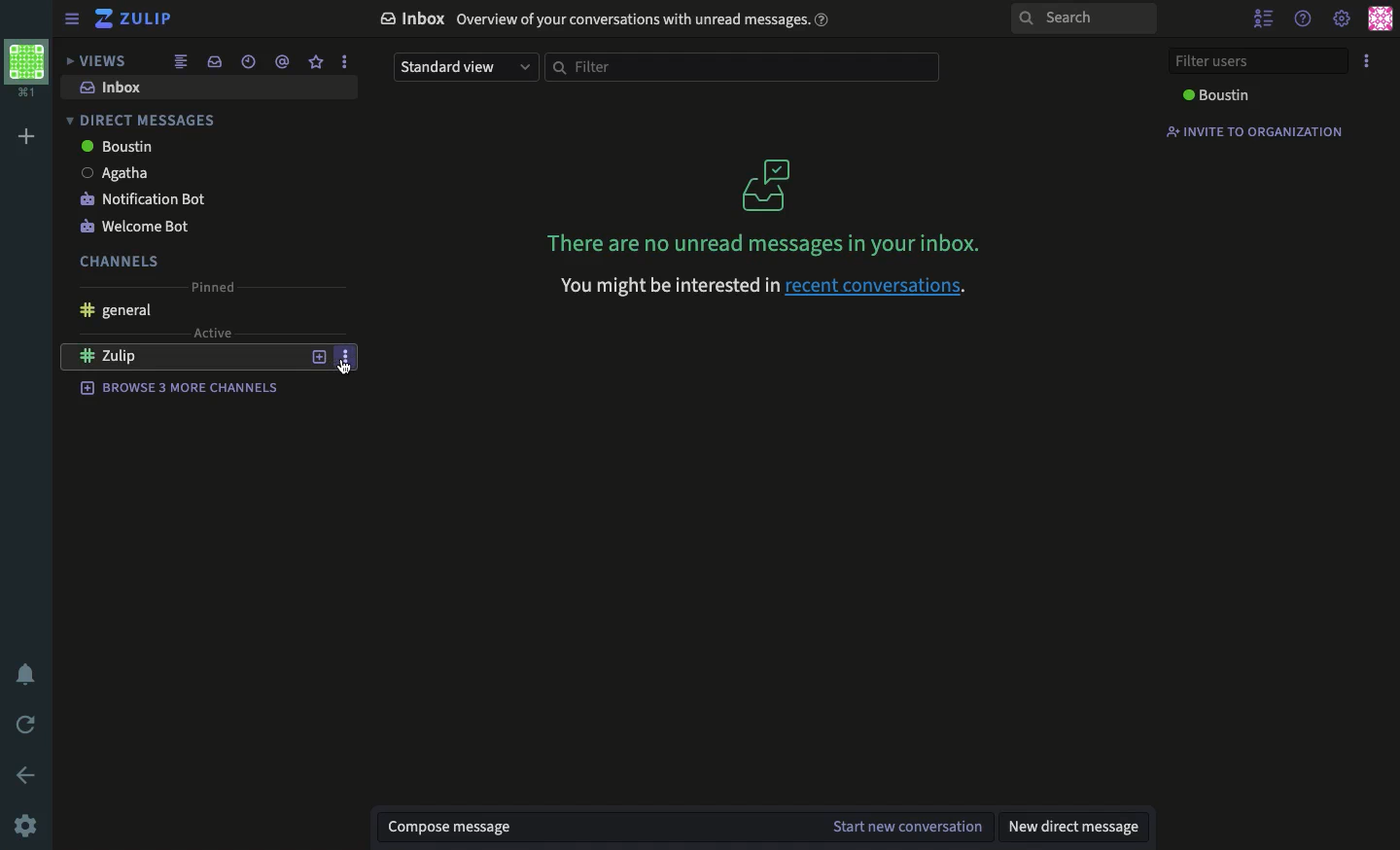 The height and width of the screenshot is (850, 1400). Describe the element at coordinates (1264, 20) in the screenshot. I see `hide user list` at that location.